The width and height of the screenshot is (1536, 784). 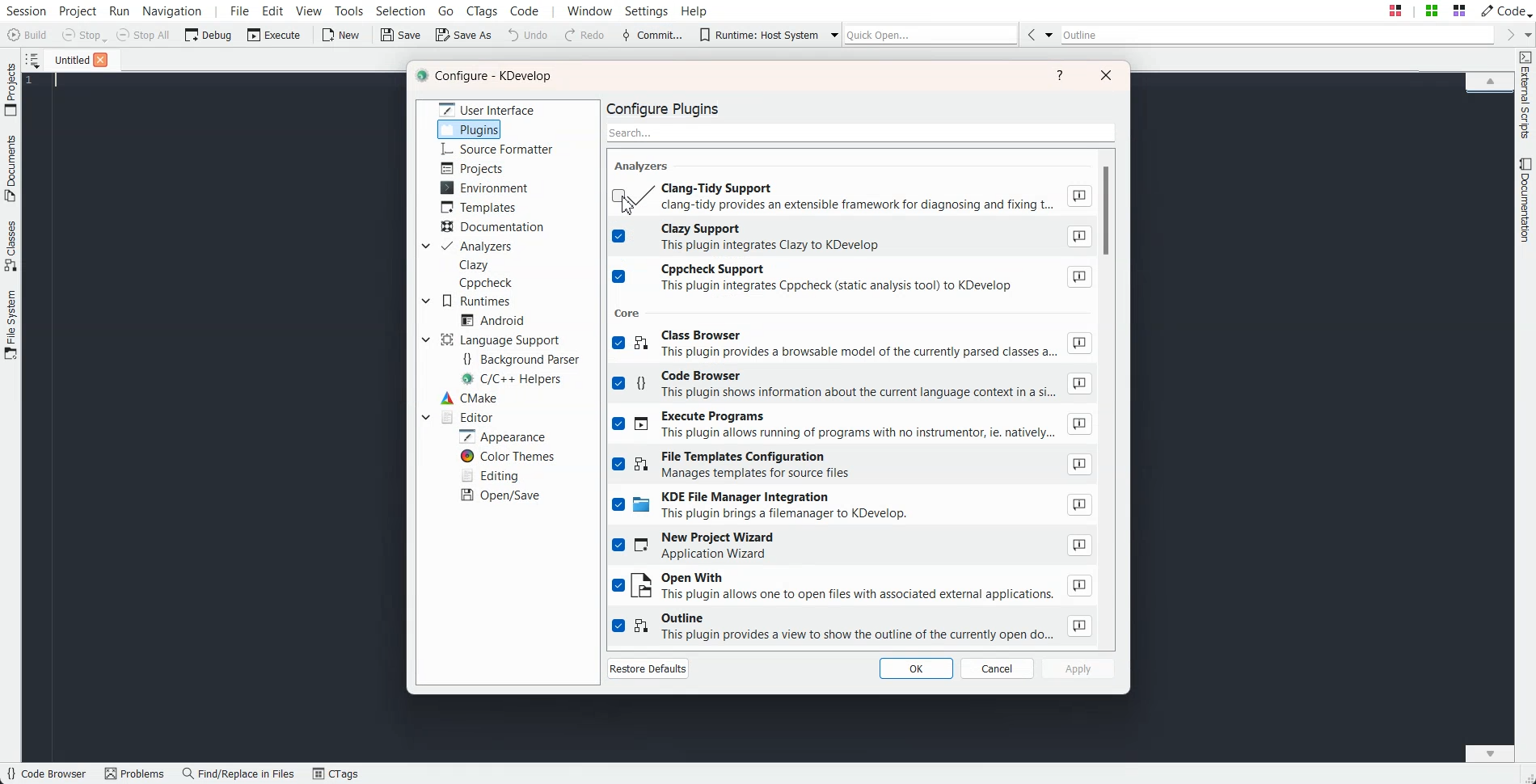 What do you see at coordinates (506, 457) in the screenshot?
I see `Color Themes` at bounding box center [506, 457].